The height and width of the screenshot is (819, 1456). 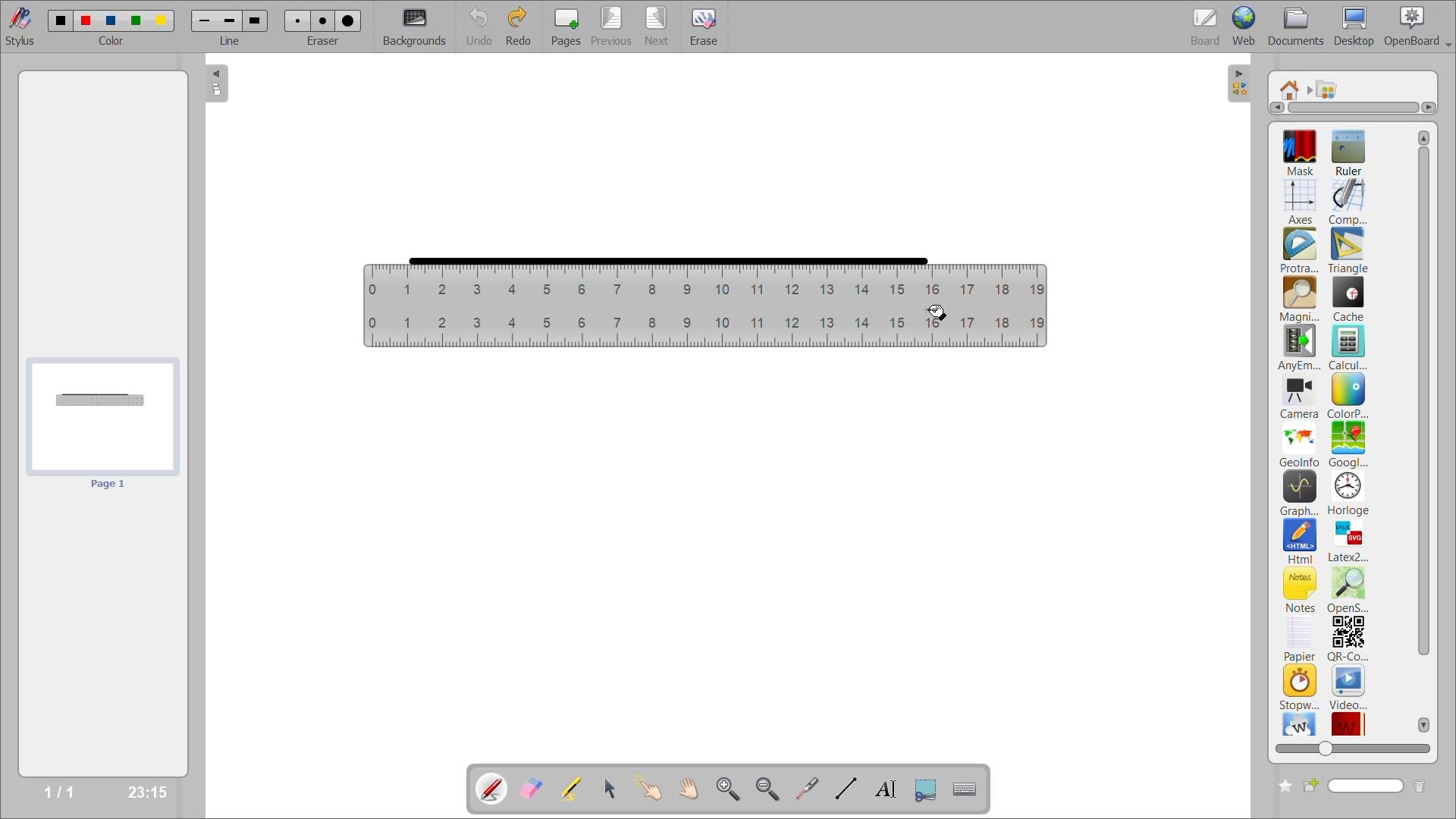 I want to click on stopwatch, so click(x=1299, y=686).